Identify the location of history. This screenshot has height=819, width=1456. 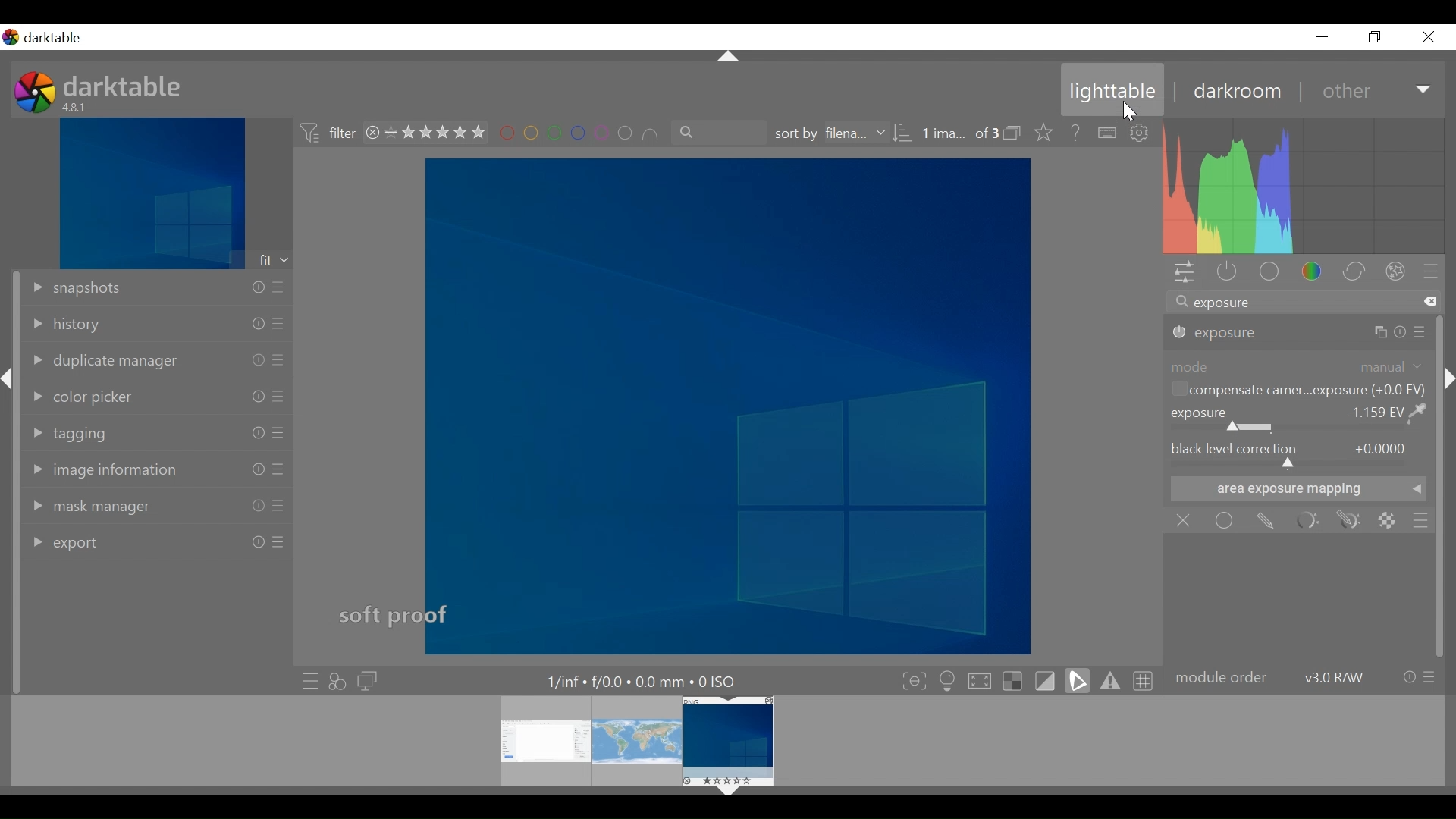
(65, 325).